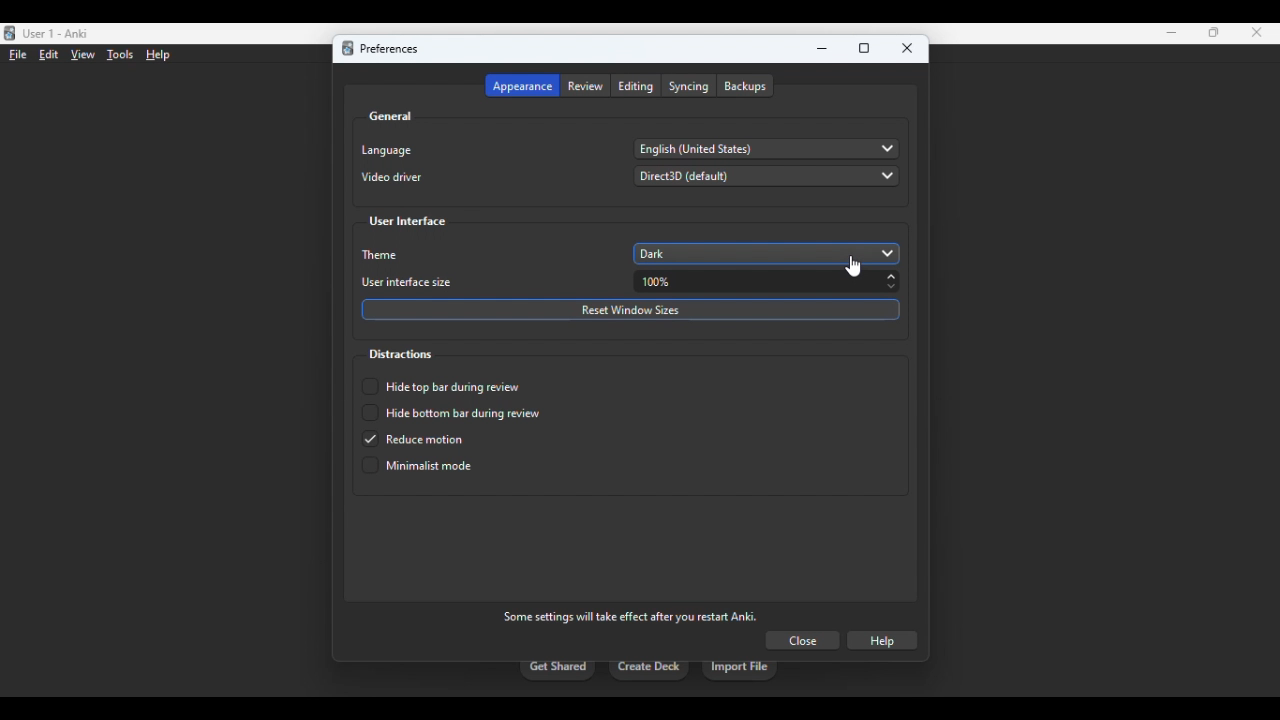  I want to click on 100%, so click(770, 282).